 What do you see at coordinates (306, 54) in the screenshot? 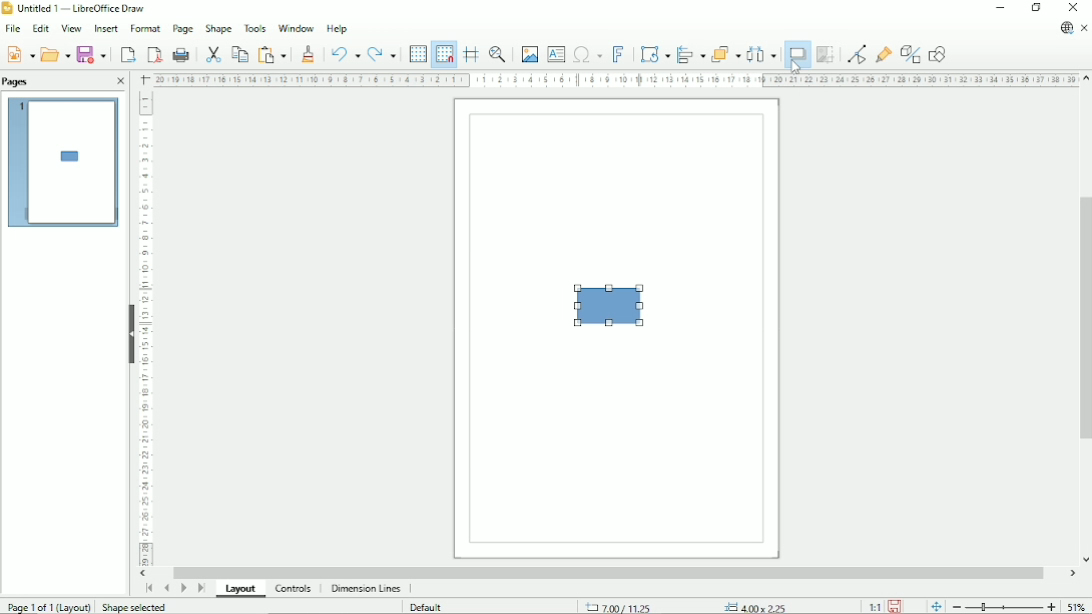
I see `Clone formatting` at bounding box center [306, 54].